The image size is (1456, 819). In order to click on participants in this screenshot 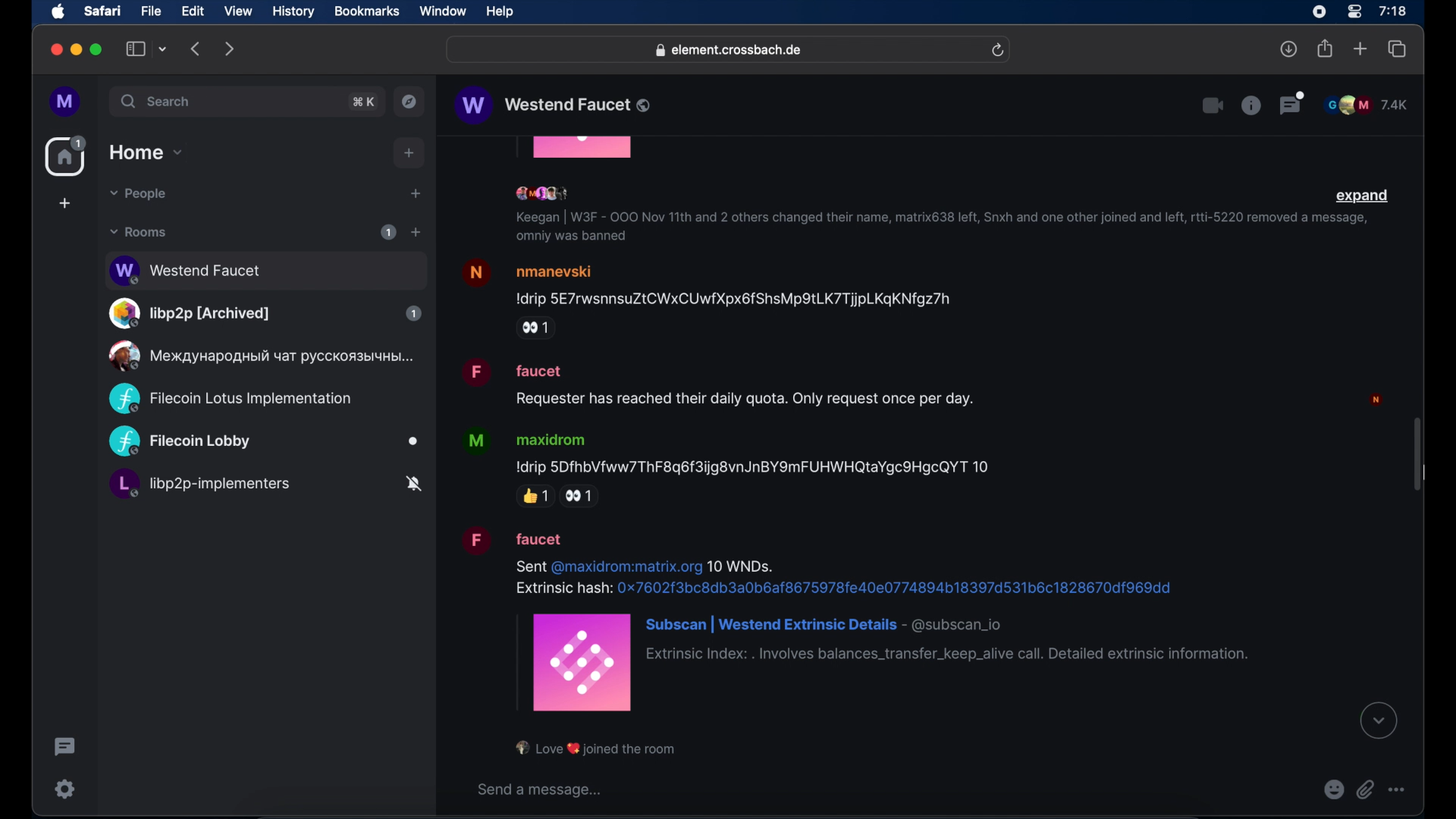, I will do `click(1366, 105)`.